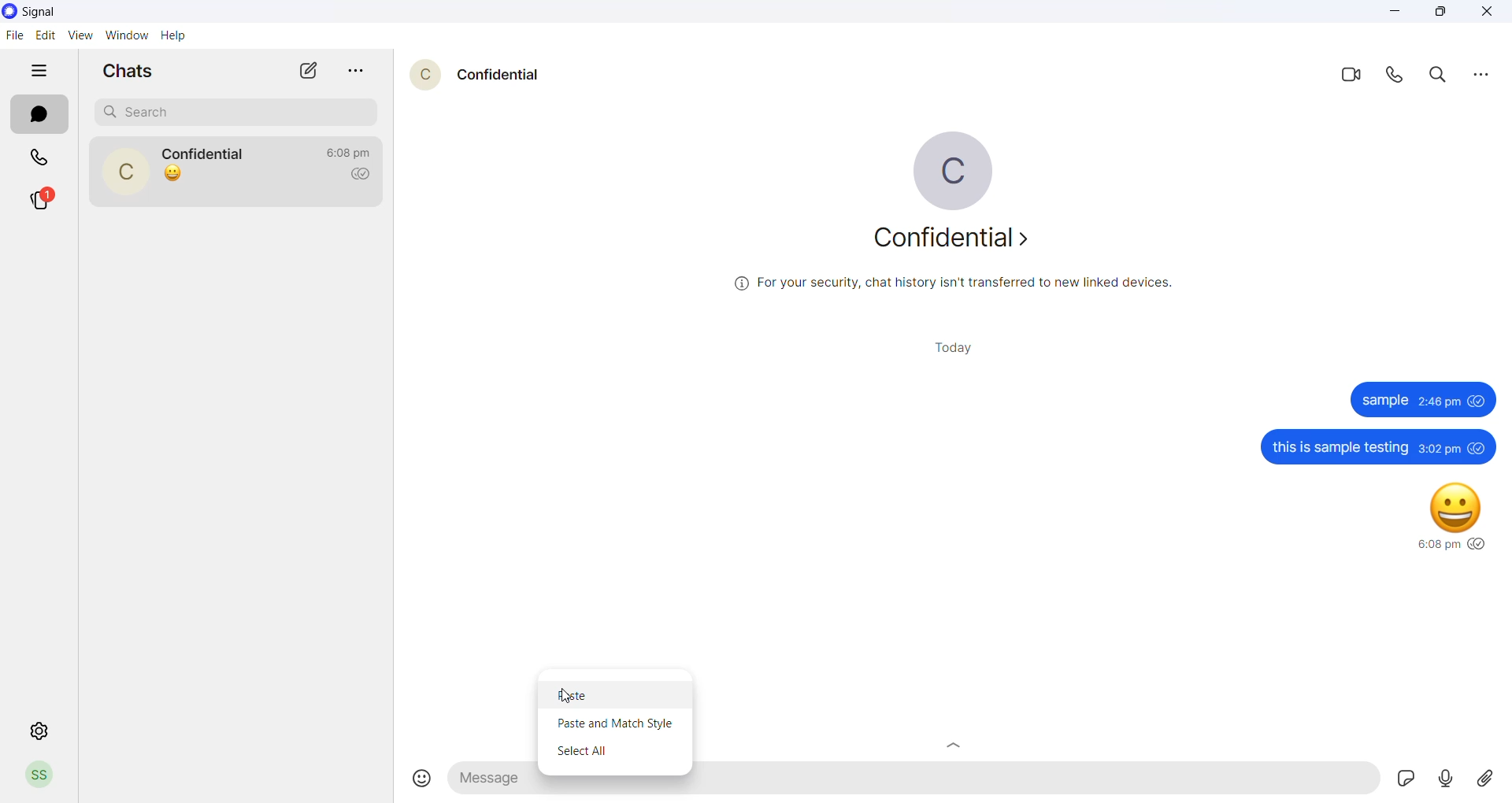 The image size is (1512, 803). Describe the element at coordinates (46, 35) in the screenshot. I see `edit` at that location.